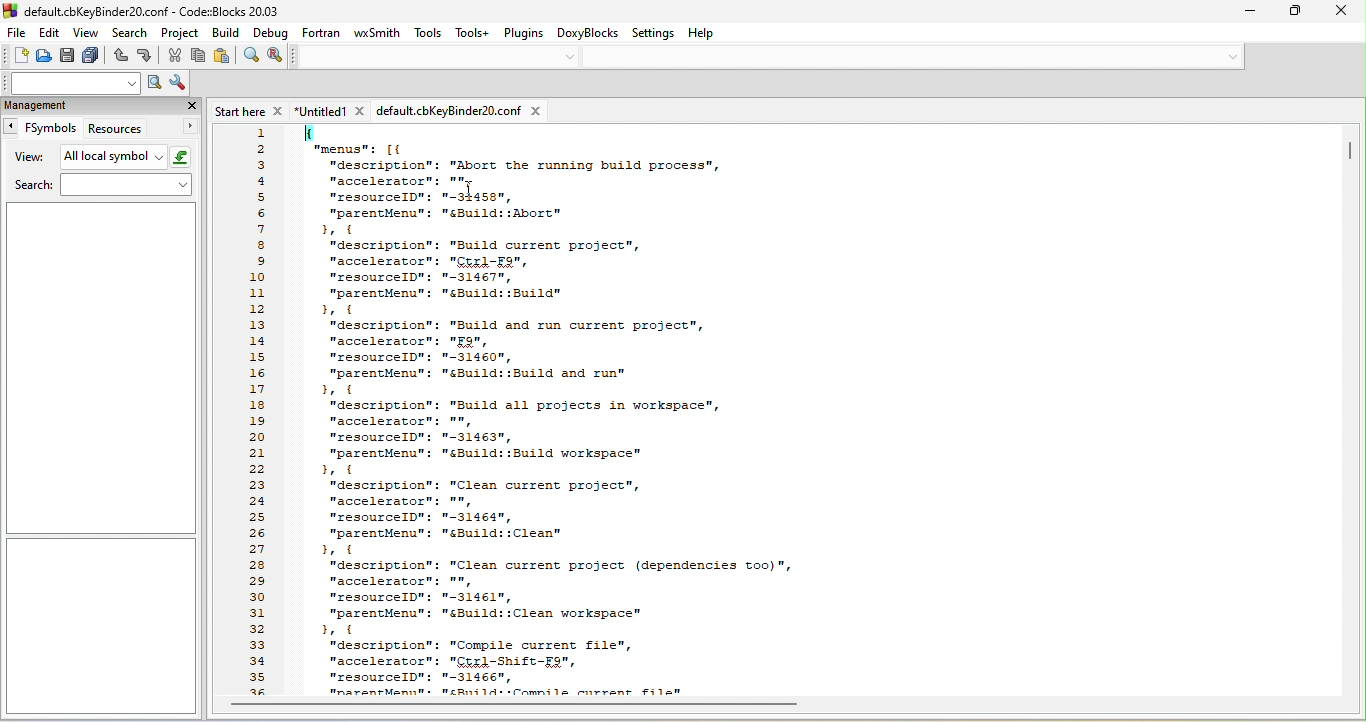 Image resolution: width=1366 pixels, height=722 pixels. Describe the element at coordinates (148, 57) in the screenshot. I see `redo` at that location.